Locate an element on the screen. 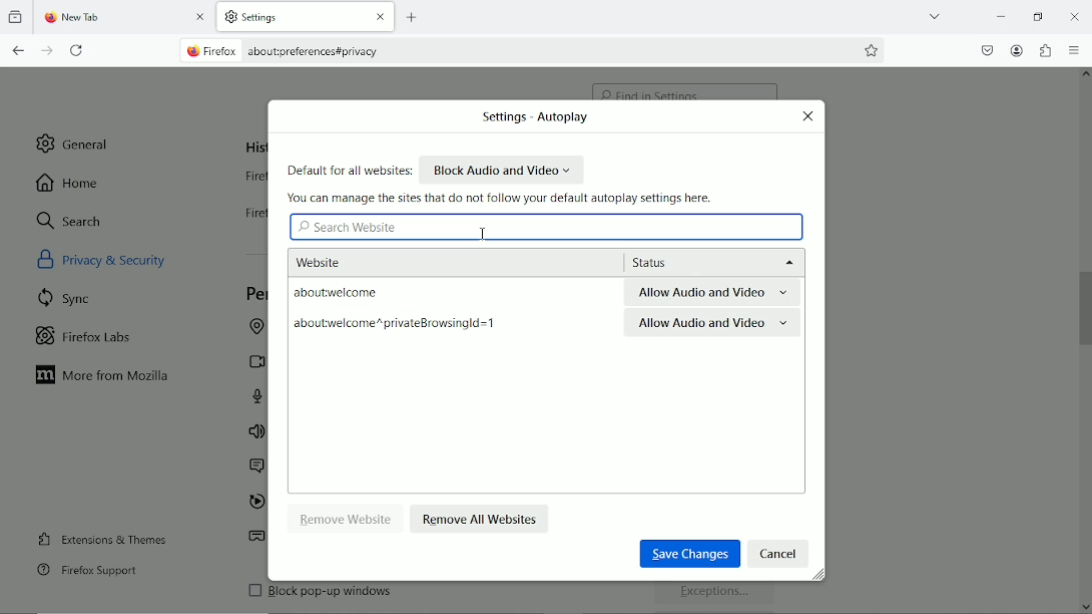 This screenshot has height=614, width=1092. you can manage the sites that do not follow your default autoplay settings here. is located at coordinates (503, 198).